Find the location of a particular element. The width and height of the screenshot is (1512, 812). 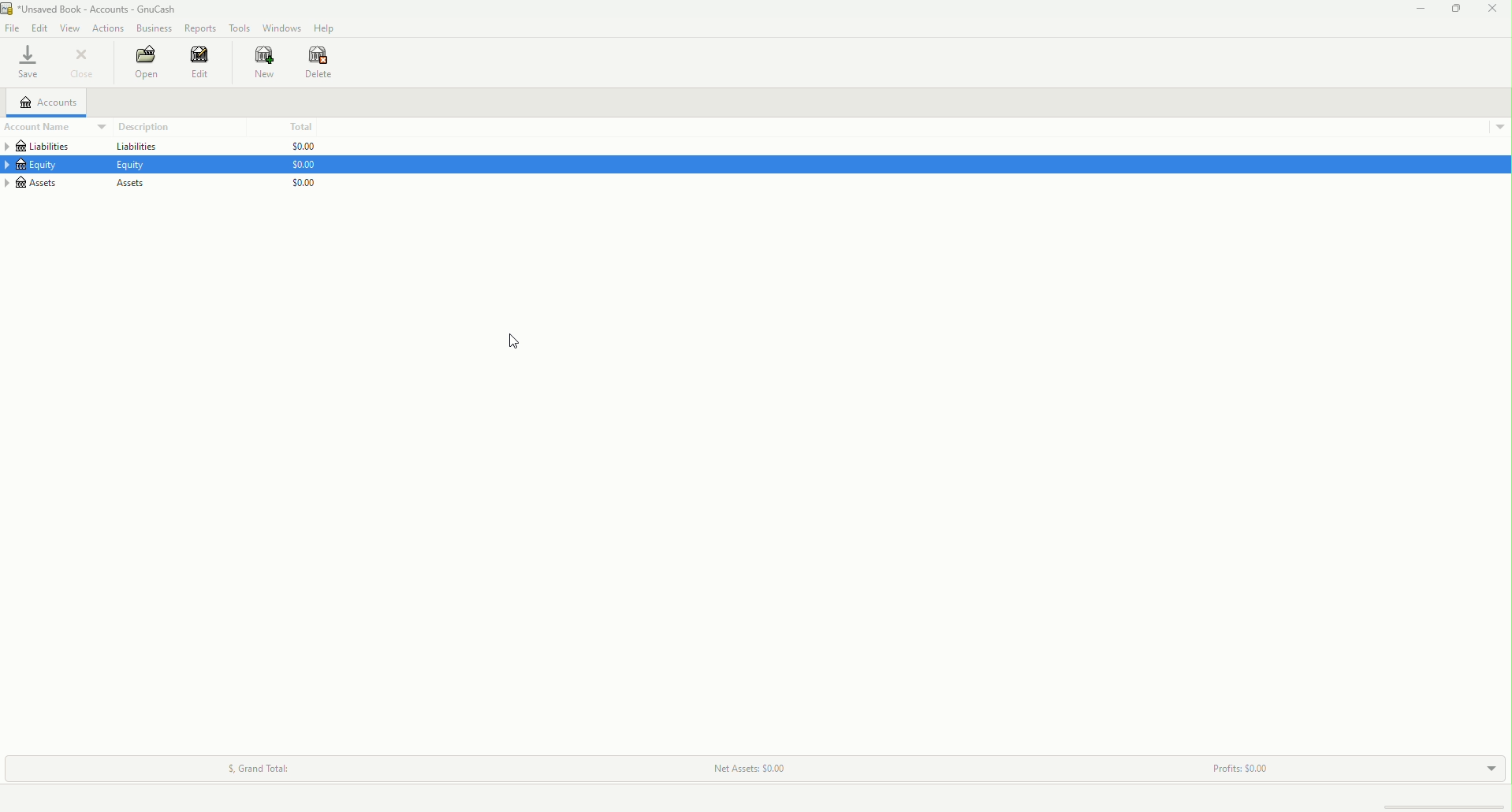

$0 is located at coordinates (303, 167).